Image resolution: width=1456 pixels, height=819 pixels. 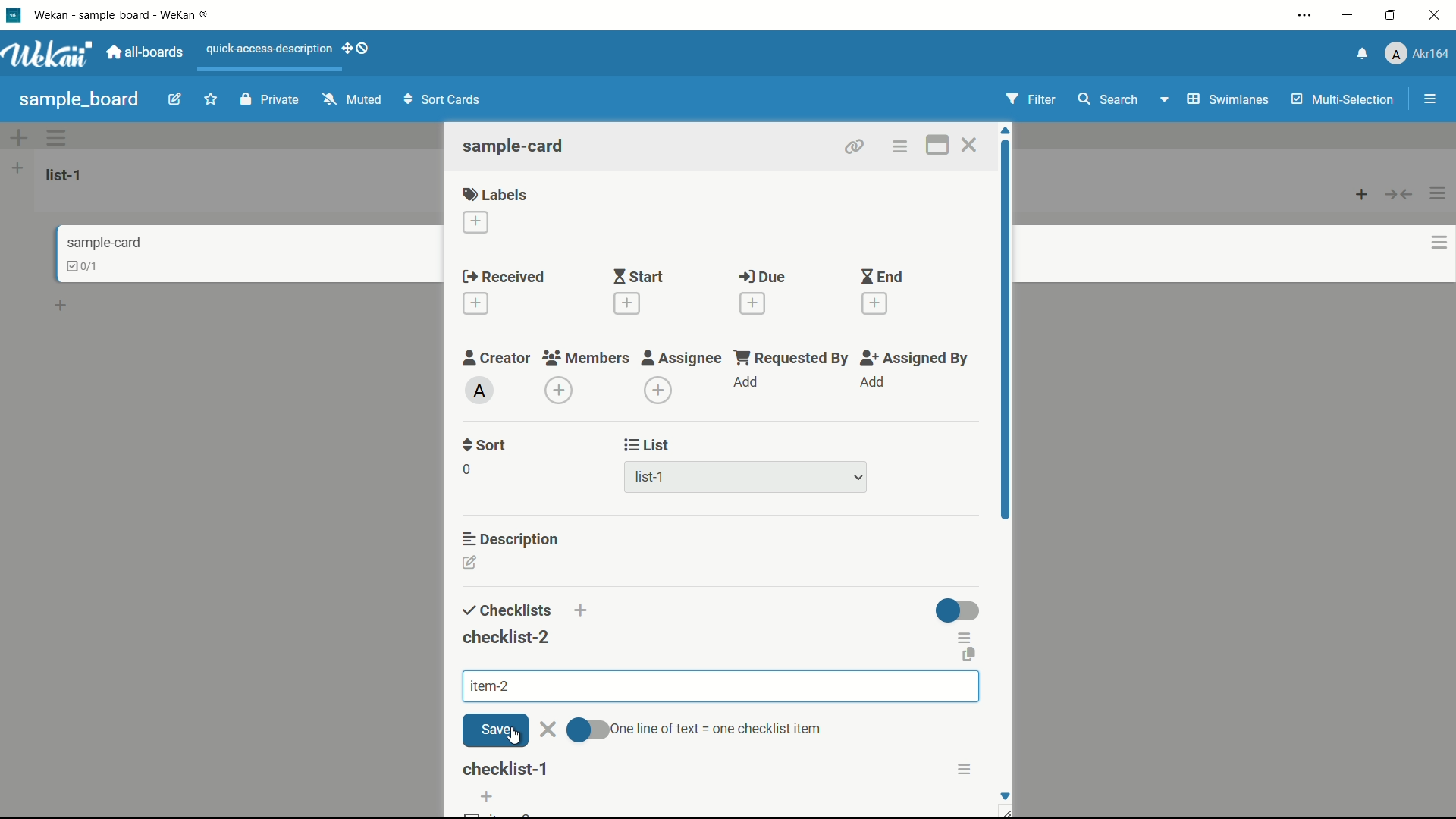 What do you see at coordinates (497, 357) in the screenshot?
I see `creator` at bounding box center [497, 357].